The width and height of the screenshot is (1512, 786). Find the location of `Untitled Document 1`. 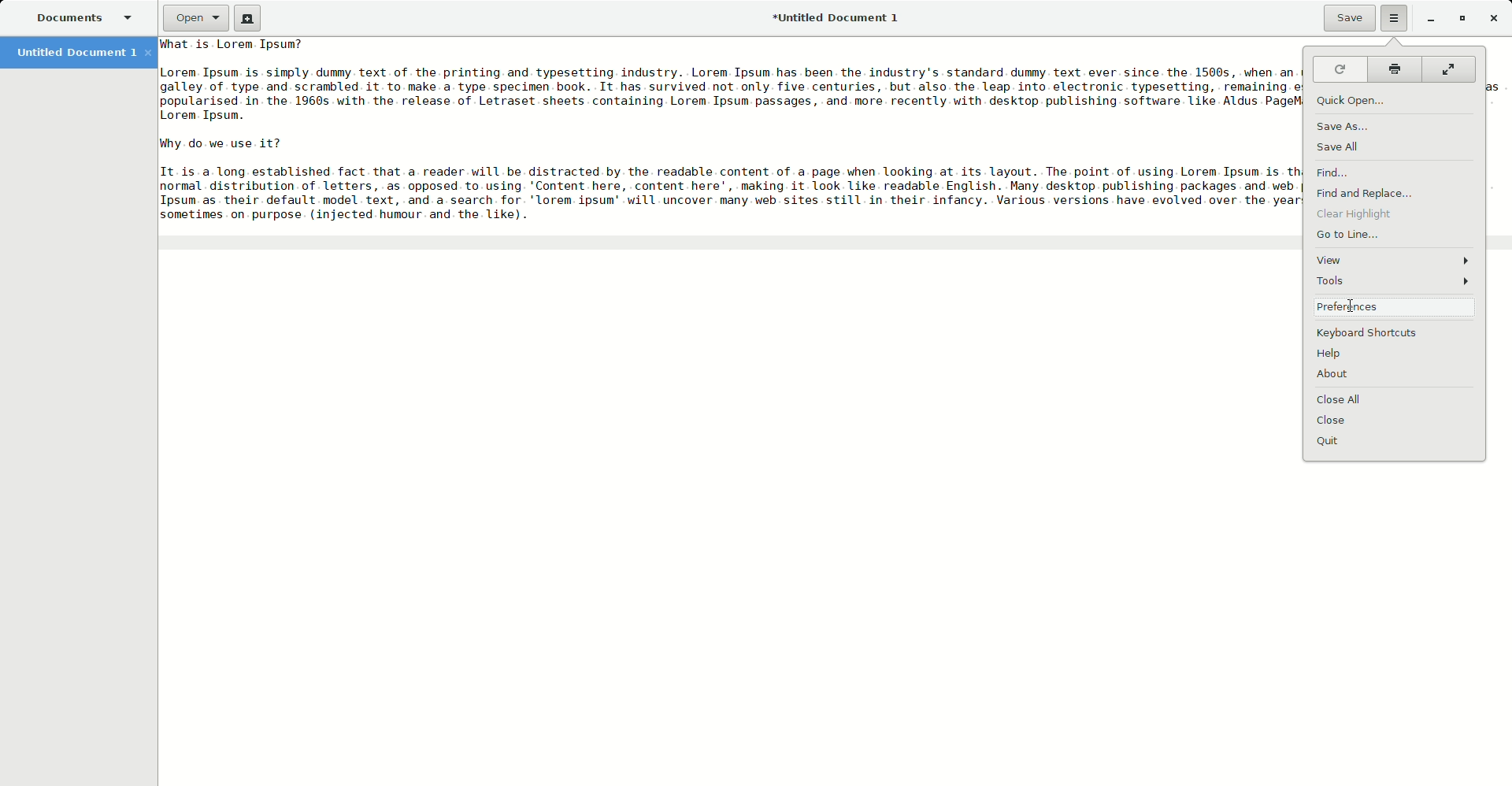

Untitled Document 1 is located at coordinates (838, 19).